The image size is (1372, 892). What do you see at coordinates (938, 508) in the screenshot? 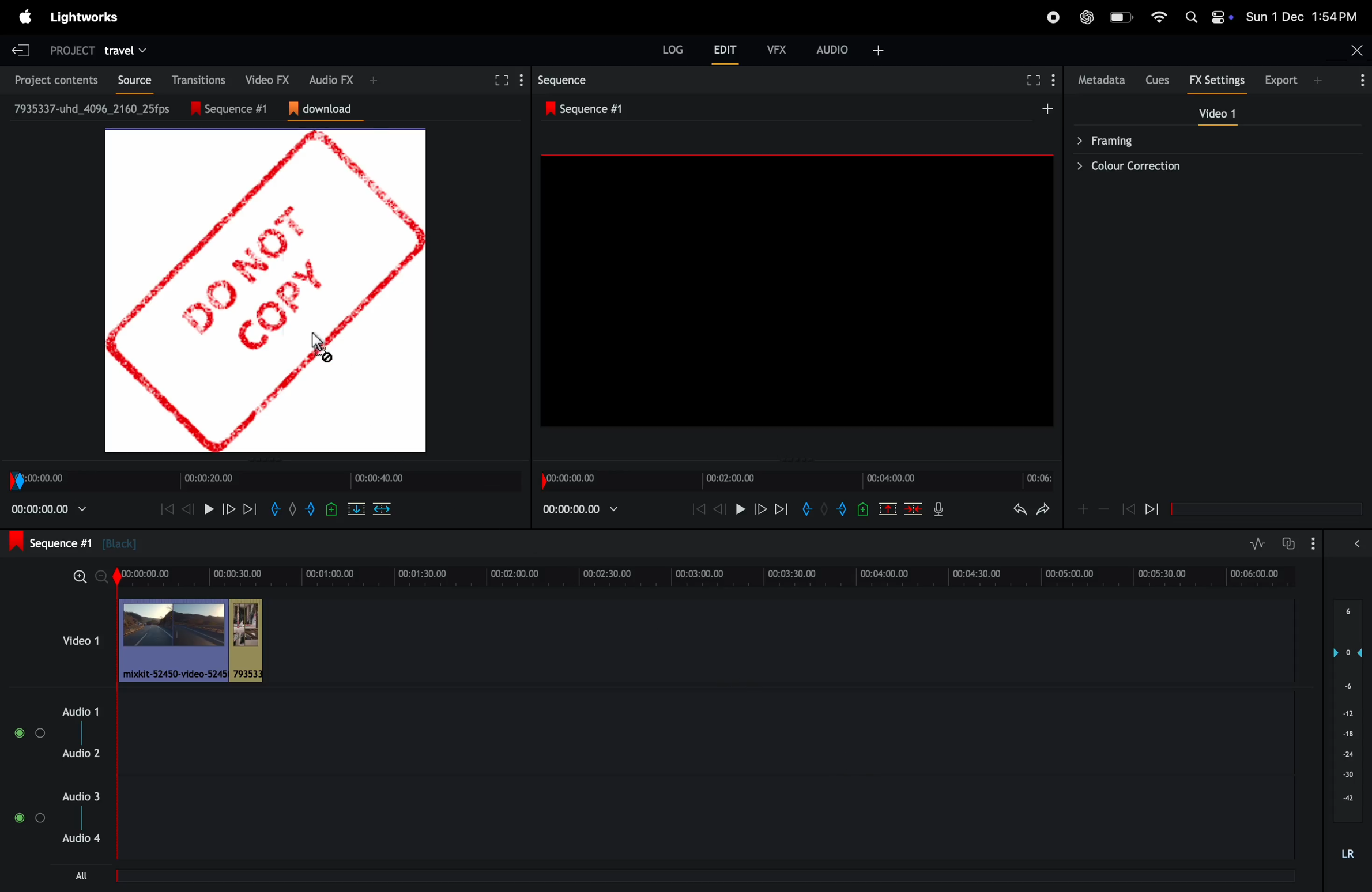
I see `mic` at bounding box center [938, 508].